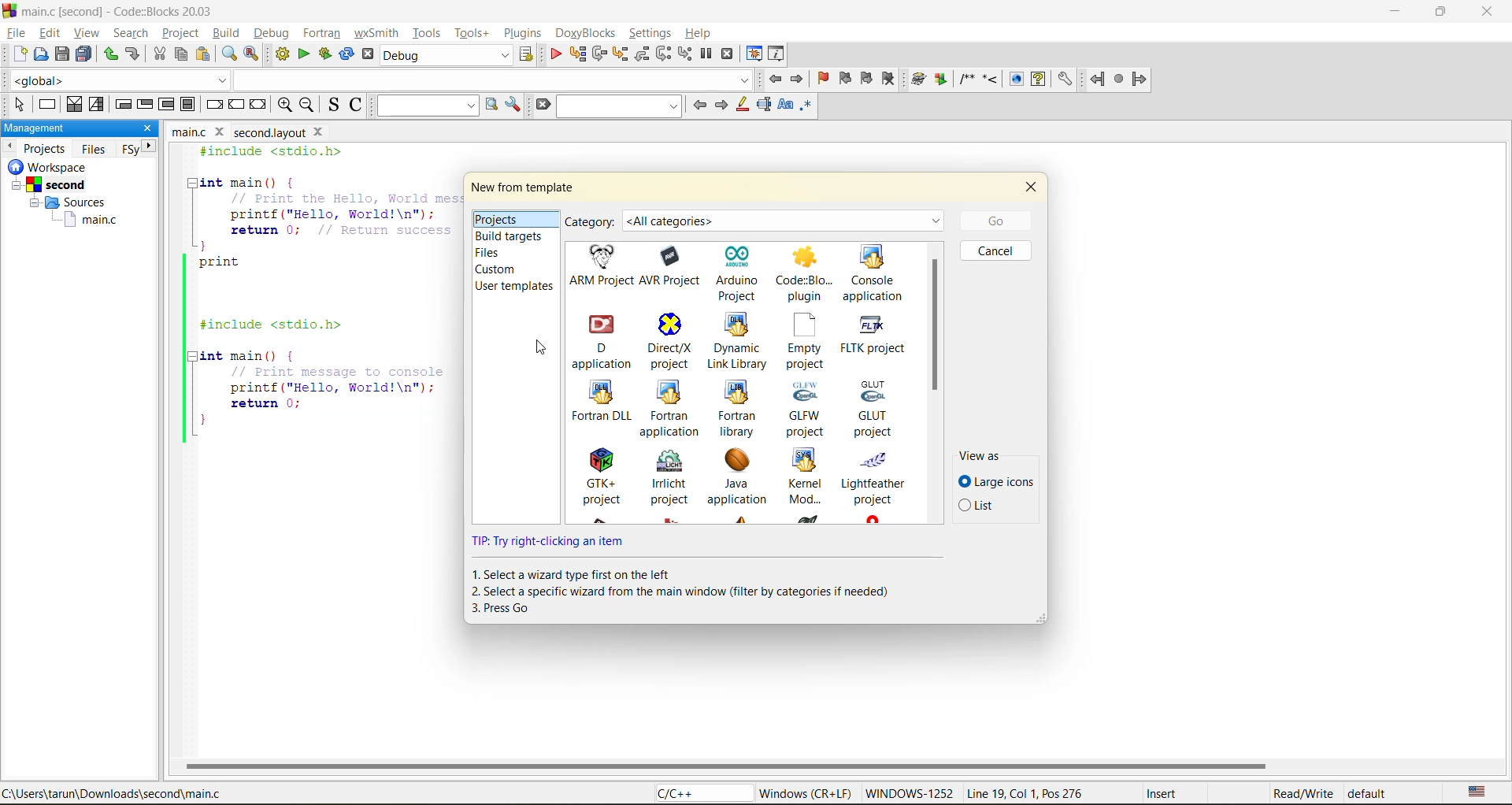 This screenshot has width=1512, height=805. I want to click on instruction, so click(46, 106).